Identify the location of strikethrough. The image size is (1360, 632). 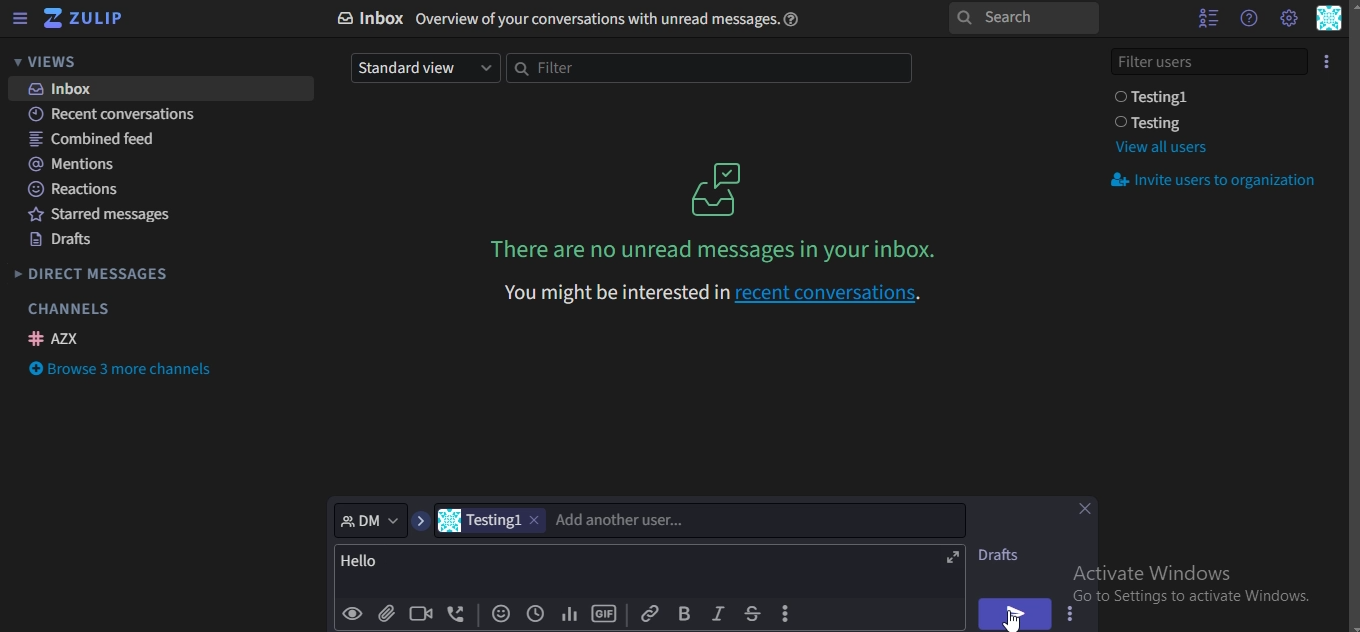
(751, 613).